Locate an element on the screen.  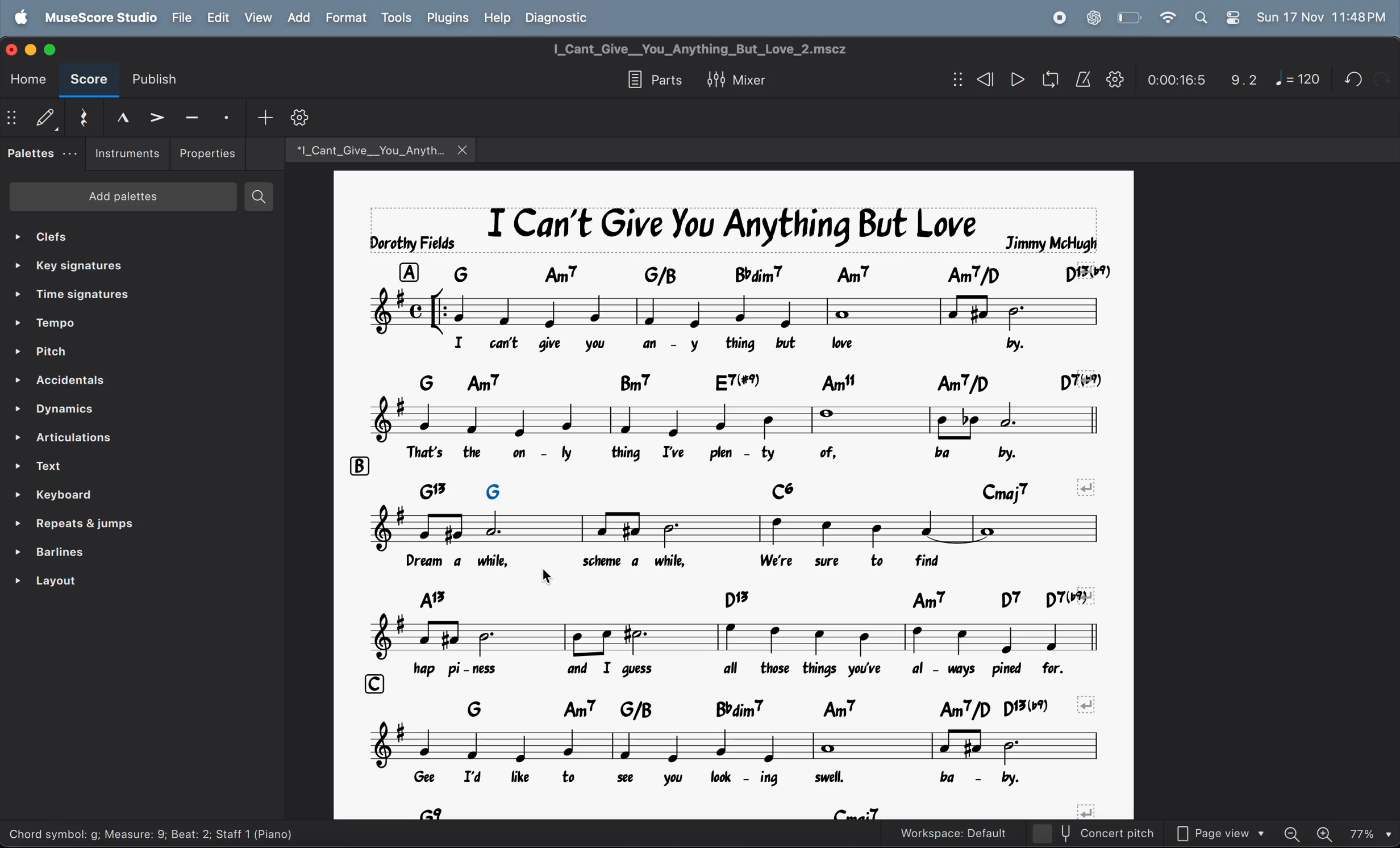
plugins is located at coordinates (447, 19).